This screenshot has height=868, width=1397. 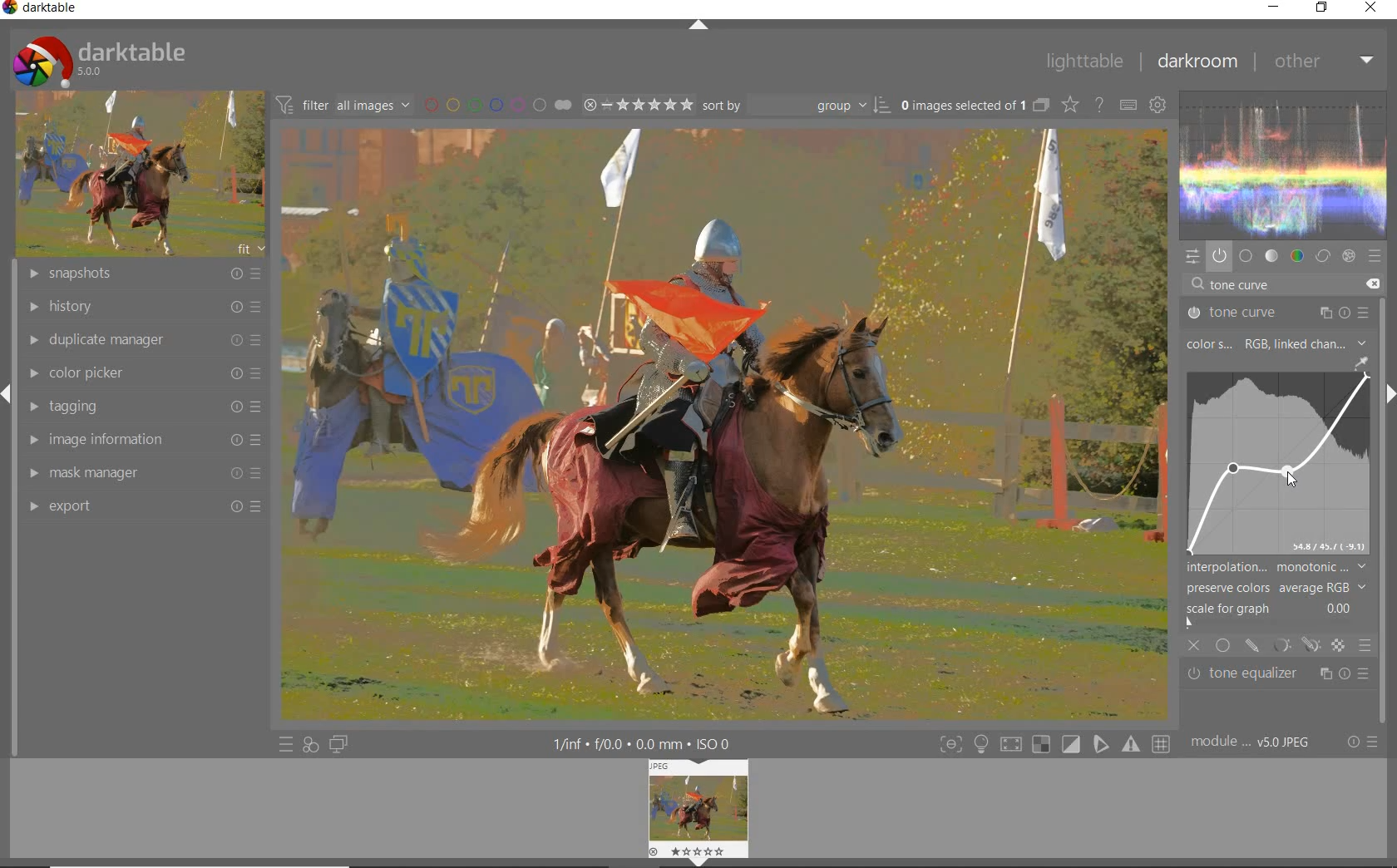 I want to click on image, so click(x=136, y=175).